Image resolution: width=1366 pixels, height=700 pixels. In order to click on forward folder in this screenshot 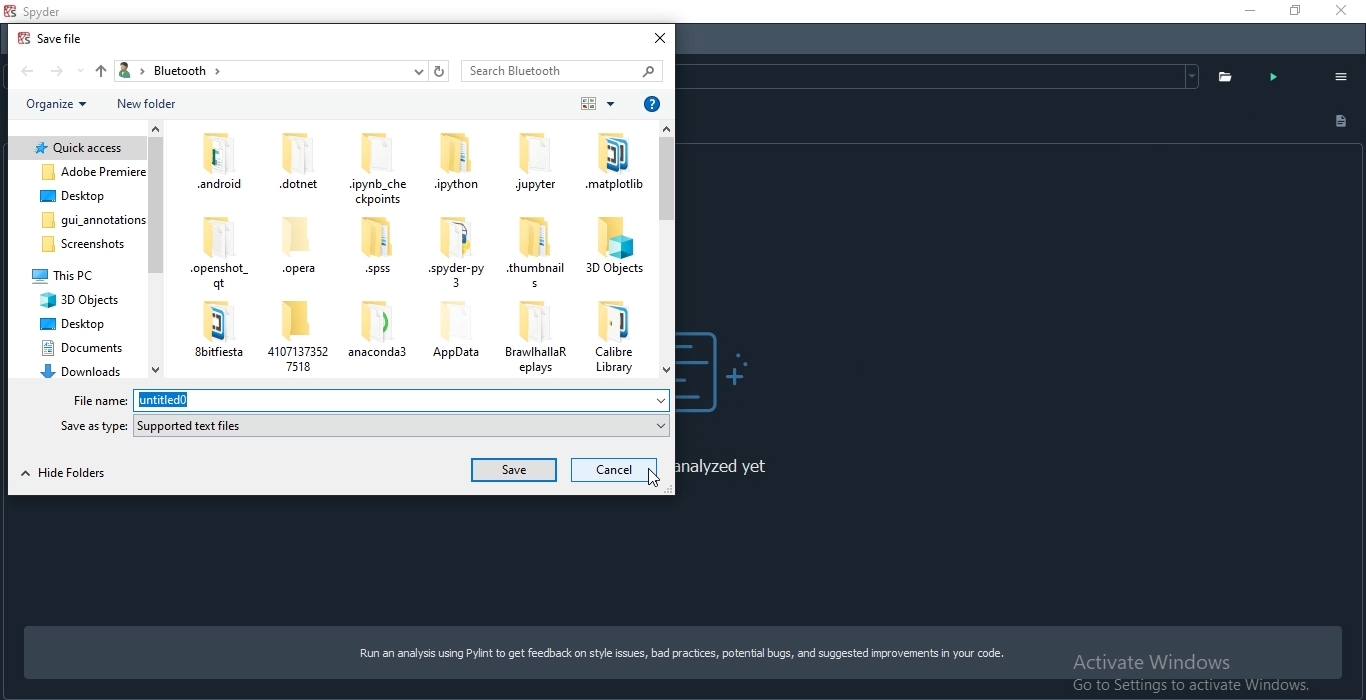, I will do `click(69, 73)`.